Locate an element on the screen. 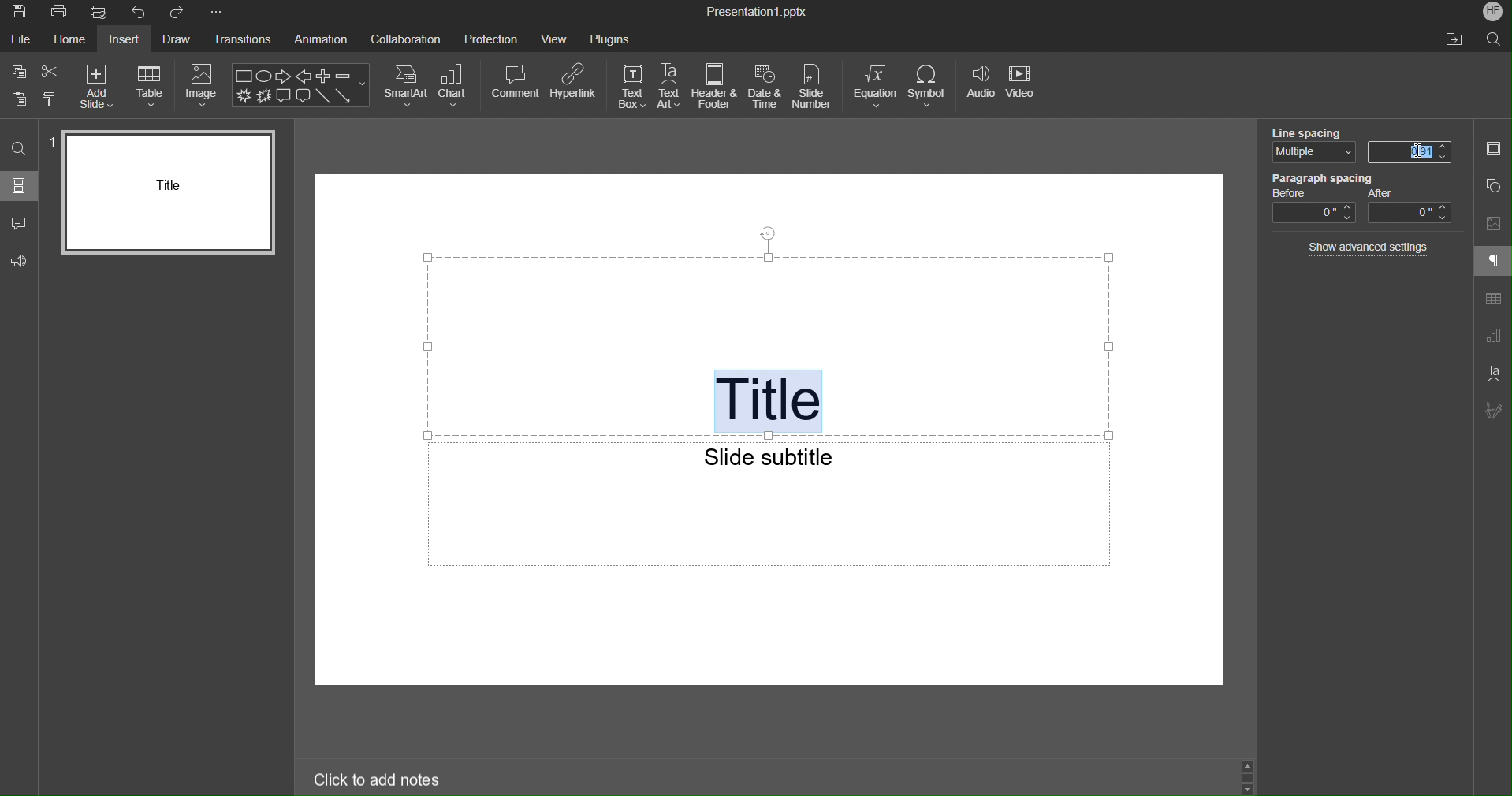  Table is located at coordinates (1492, 300).